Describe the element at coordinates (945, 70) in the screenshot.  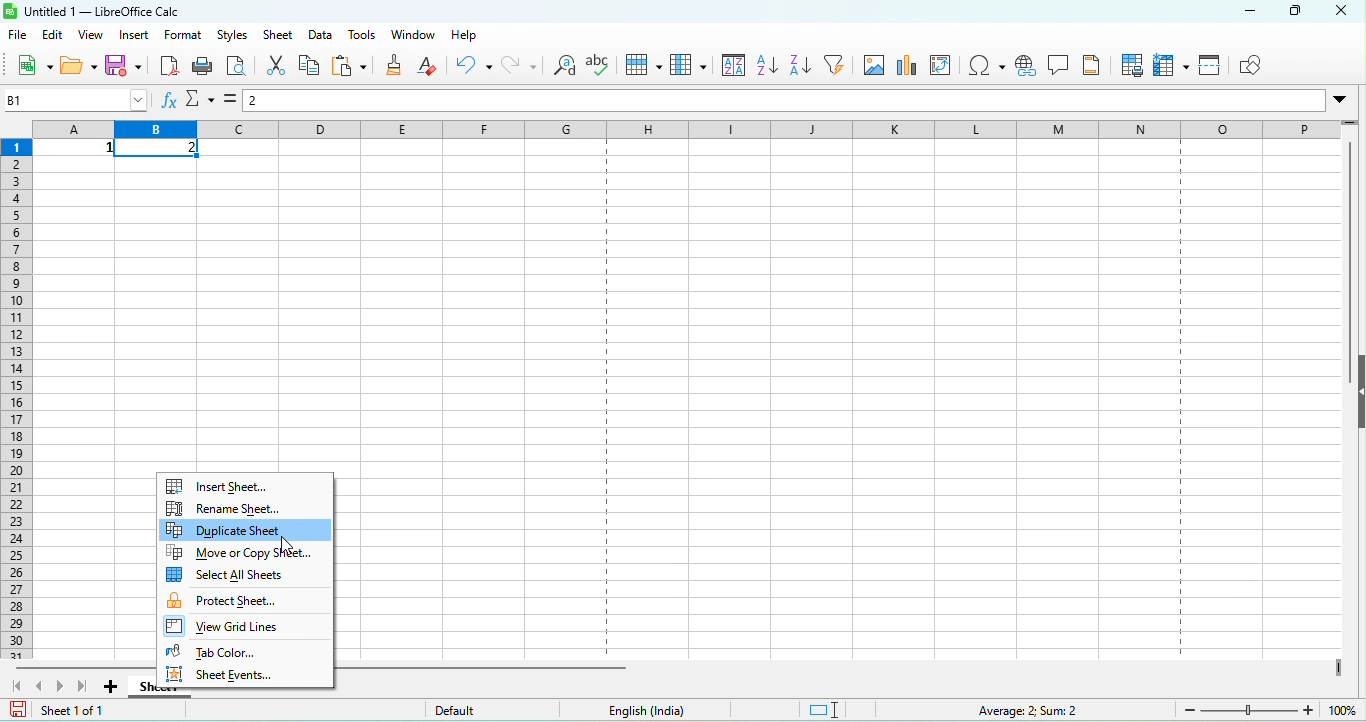
I see `edit pivot table` at that location.